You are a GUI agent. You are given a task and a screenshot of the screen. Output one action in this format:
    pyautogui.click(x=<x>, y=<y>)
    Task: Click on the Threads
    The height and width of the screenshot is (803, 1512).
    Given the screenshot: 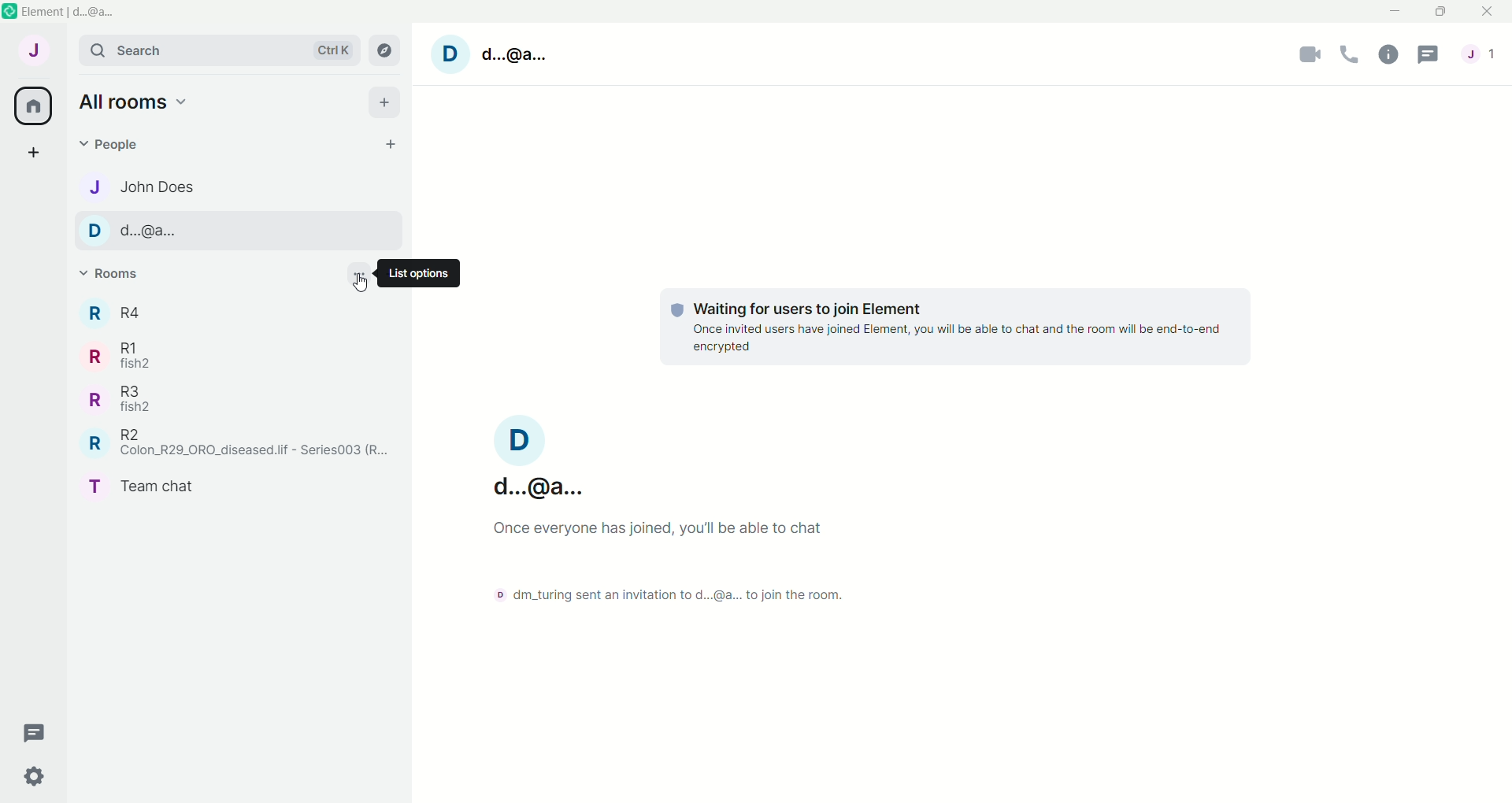 What is the action you would take?
    pyautogui.click(x=1429, y=54)
    